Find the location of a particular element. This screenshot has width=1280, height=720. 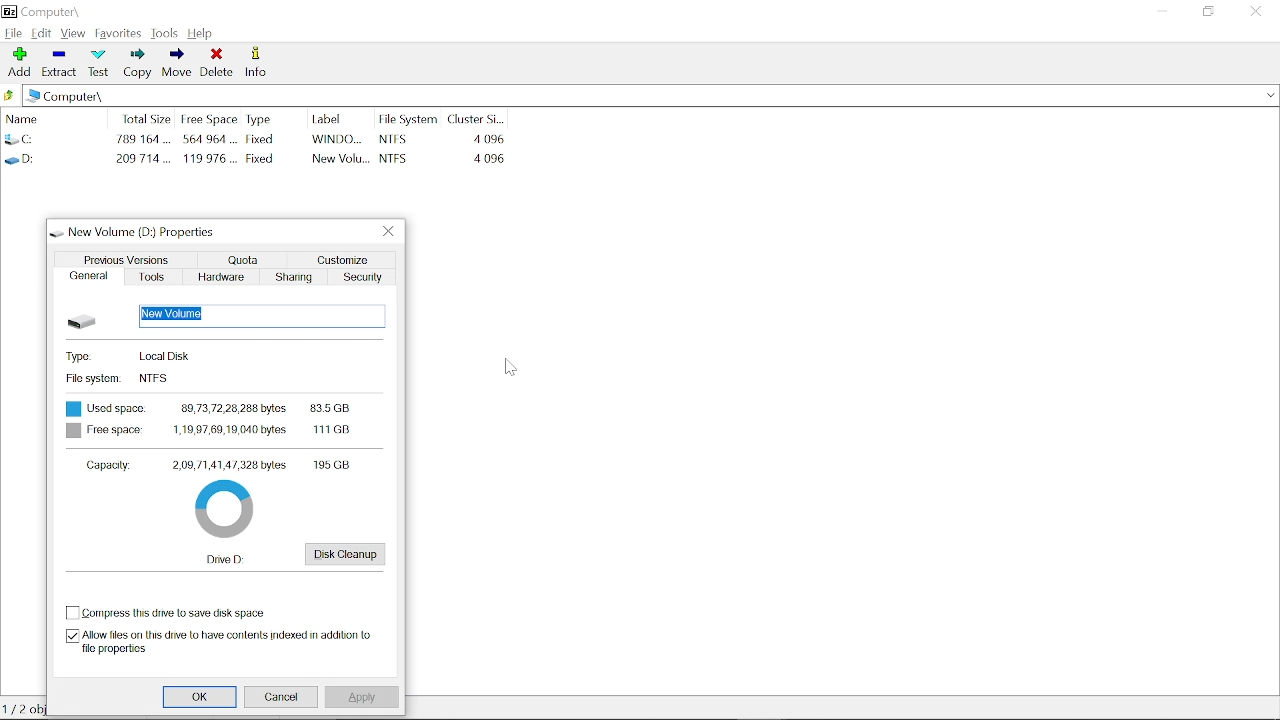

move is located at coordinates (178, 64).